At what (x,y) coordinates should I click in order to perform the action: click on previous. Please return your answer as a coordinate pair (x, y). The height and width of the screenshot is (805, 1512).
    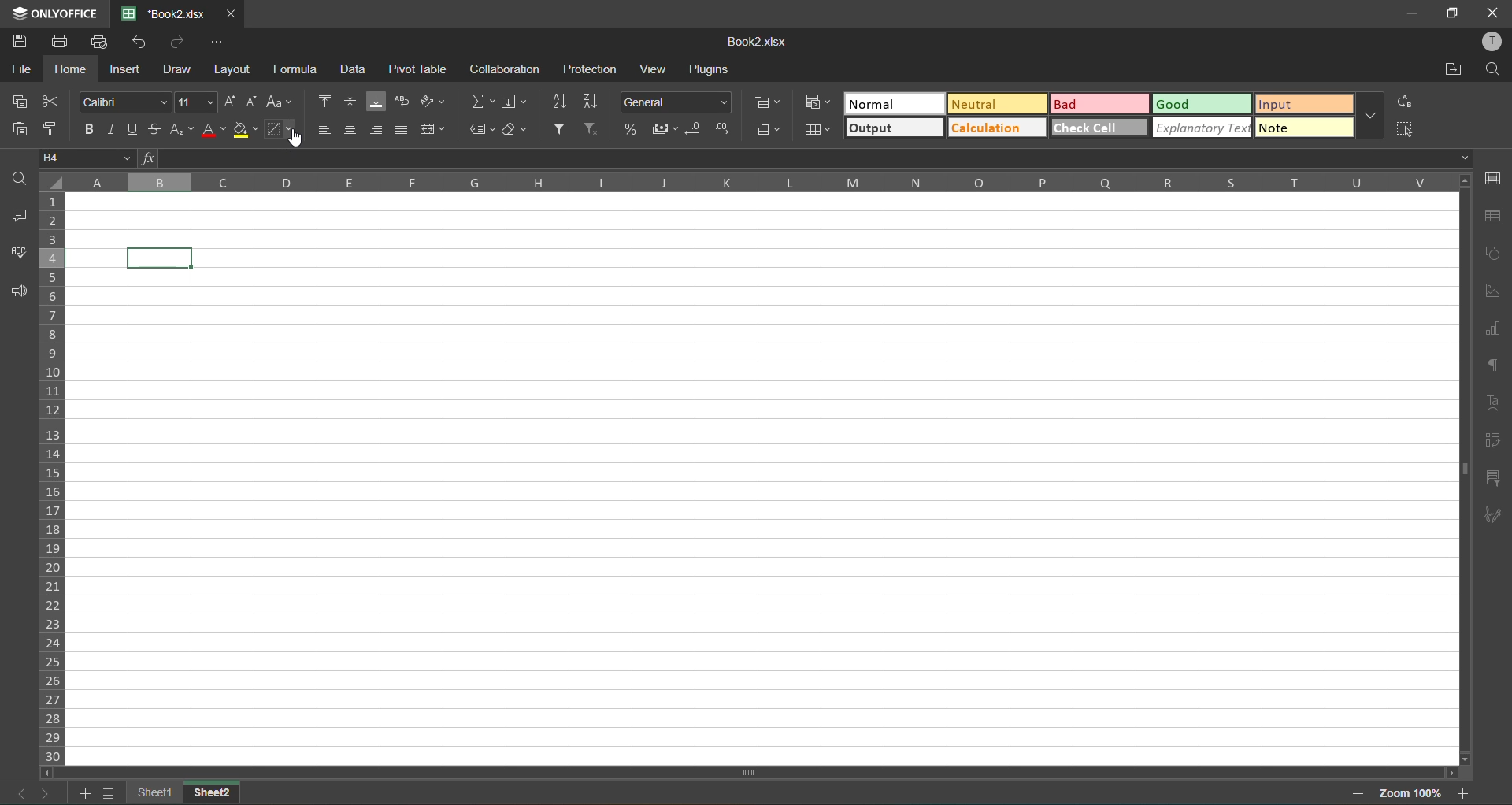
    Looking at the image, I should click on (18, 796).